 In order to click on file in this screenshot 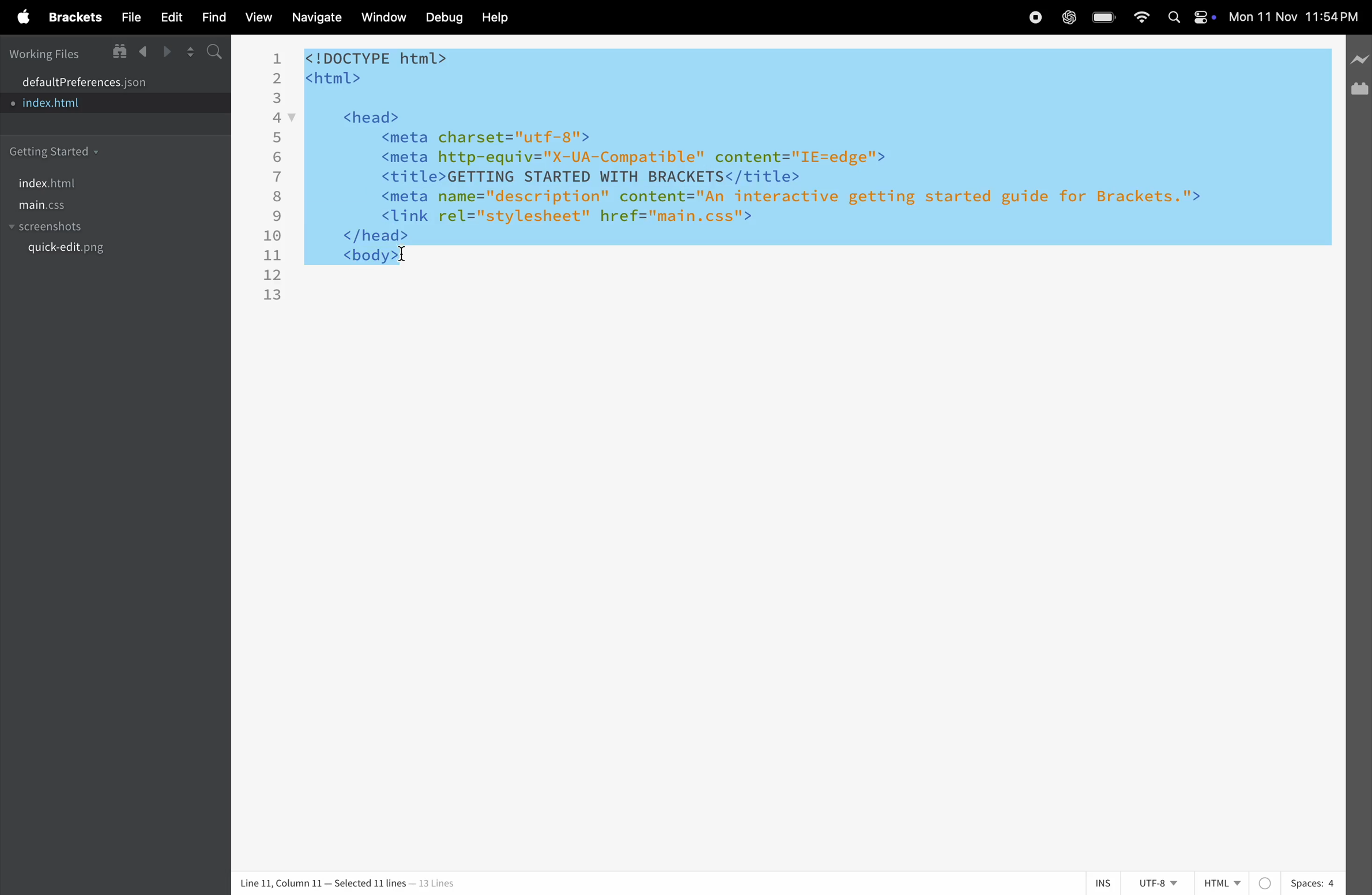, I will do `click(127, 17)`.